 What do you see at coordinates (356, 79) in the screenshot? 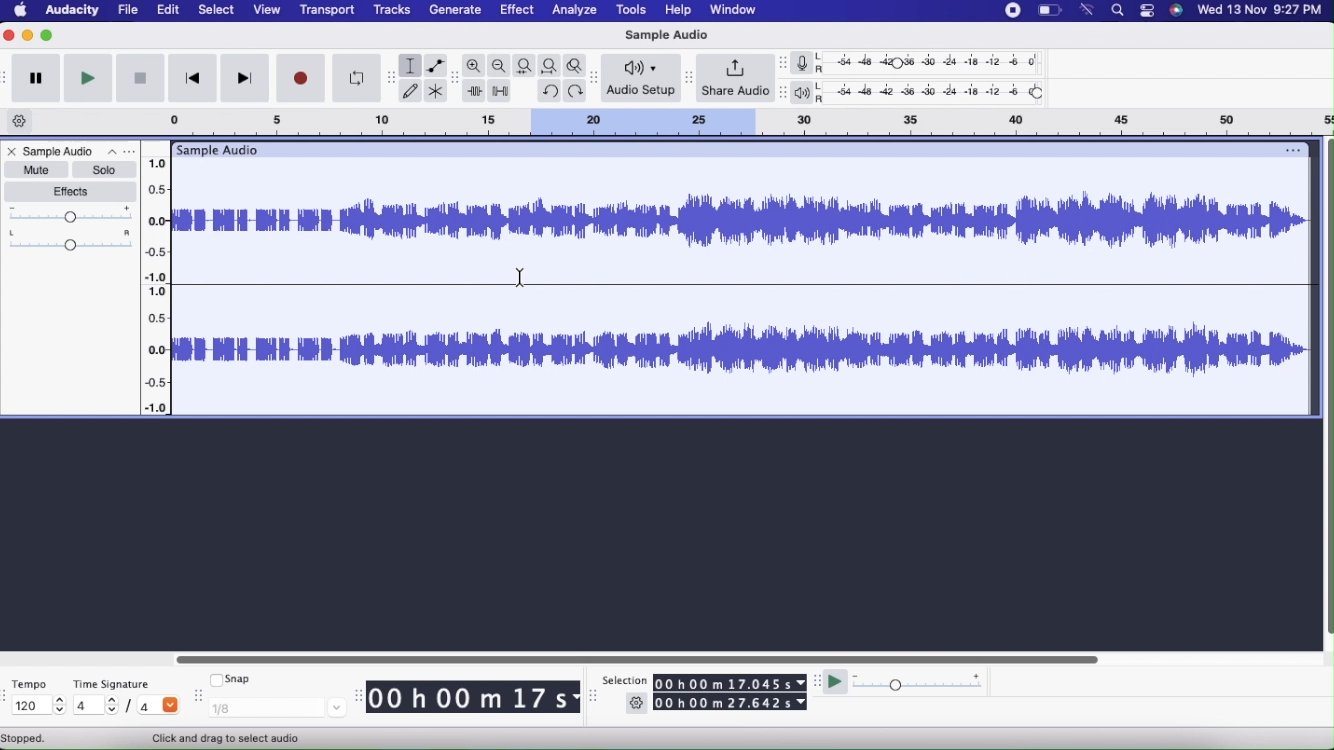
I see `Enable Looping` at bounding box center [356, 79].